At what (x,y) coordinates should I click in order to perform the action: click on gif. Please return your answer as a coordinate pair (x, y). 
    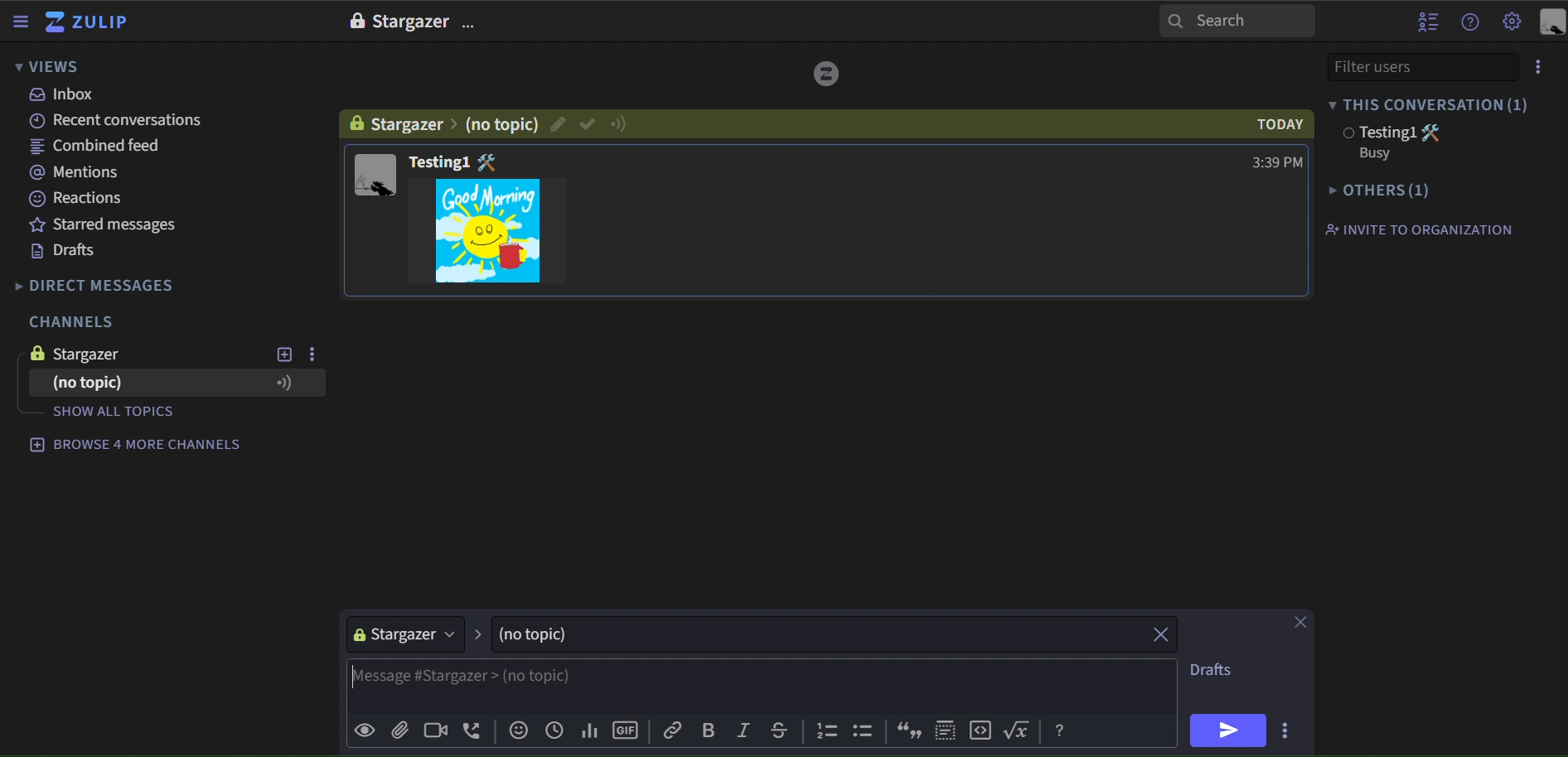
    Looking at the image, I should click on (627, 727).